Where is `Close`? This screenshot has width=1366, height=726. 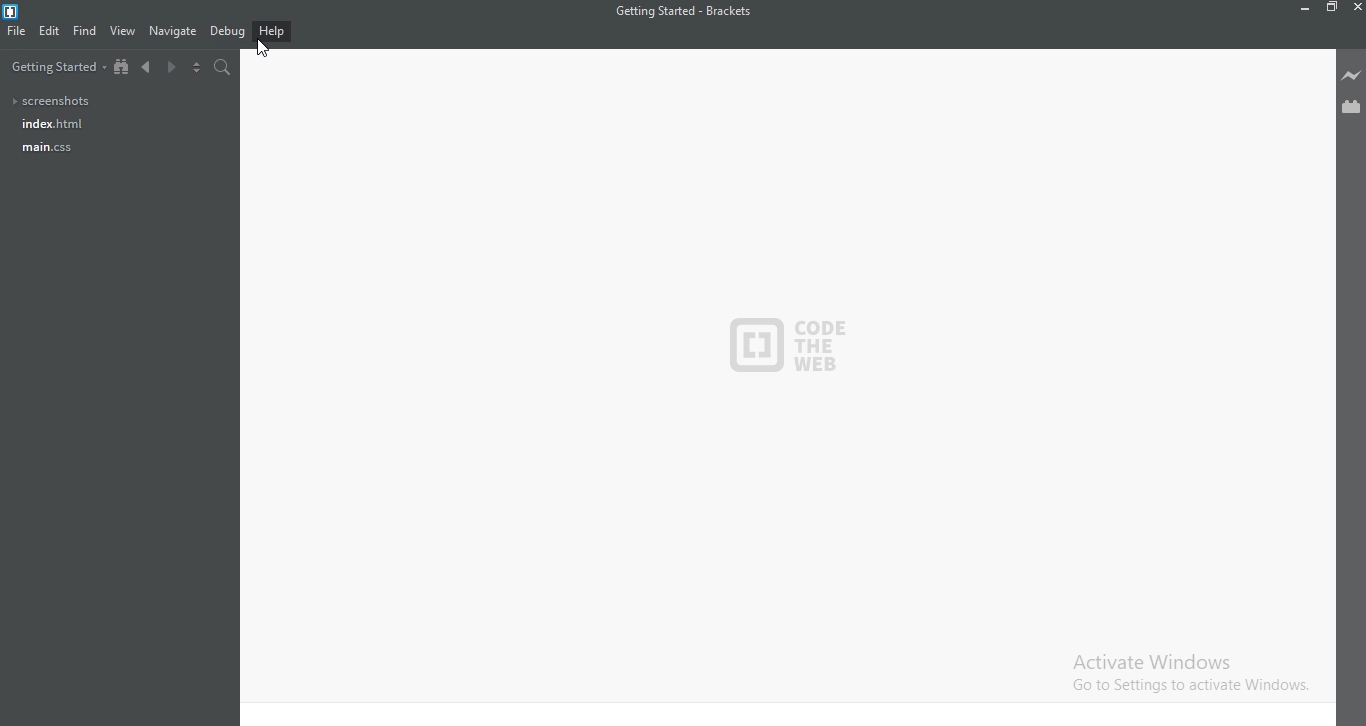 Close is located at coordinates (1357, 10).